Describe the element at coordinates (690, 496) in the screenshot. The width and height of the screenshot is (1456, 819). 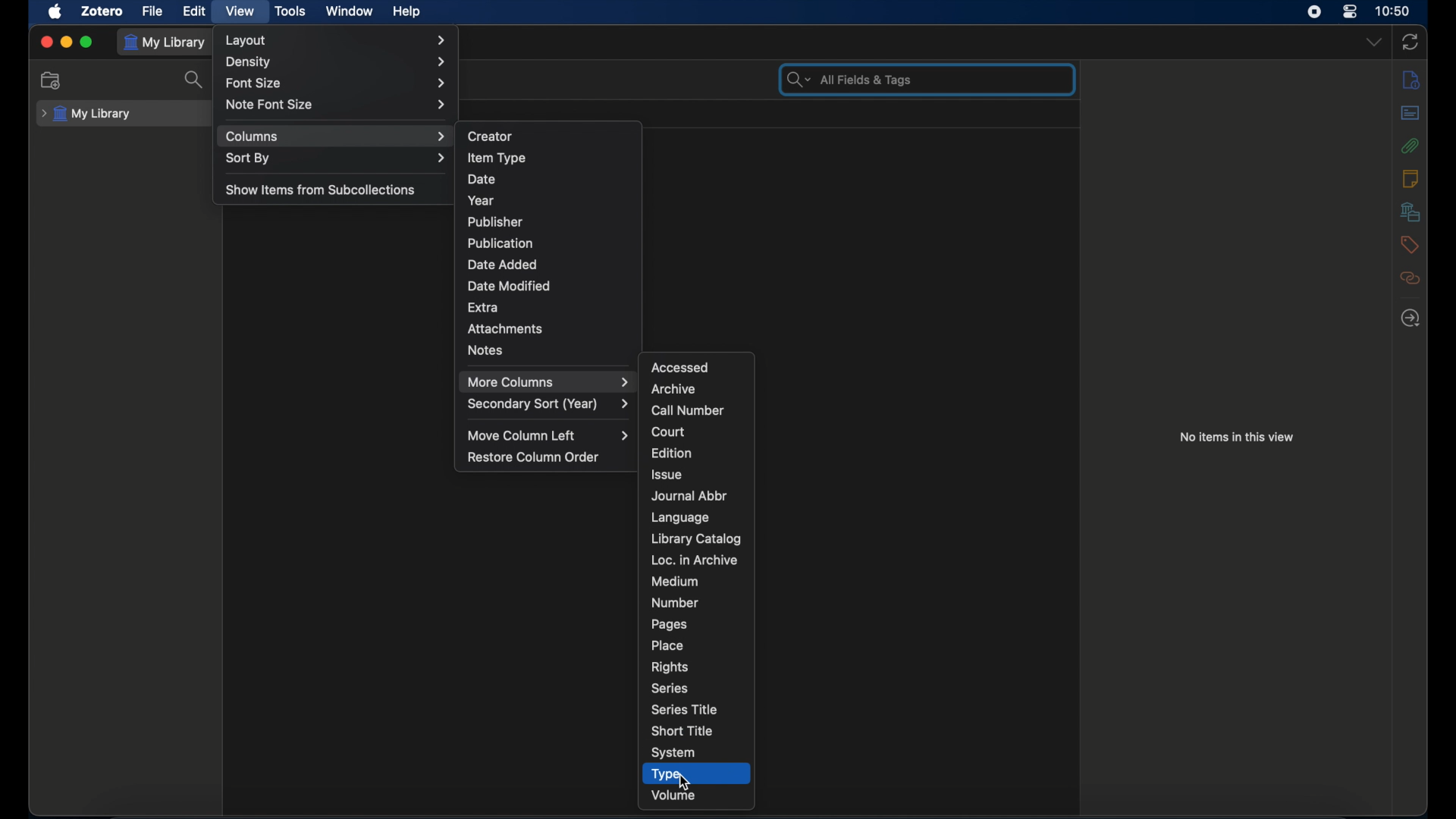
I see `journal abbr` at that location.